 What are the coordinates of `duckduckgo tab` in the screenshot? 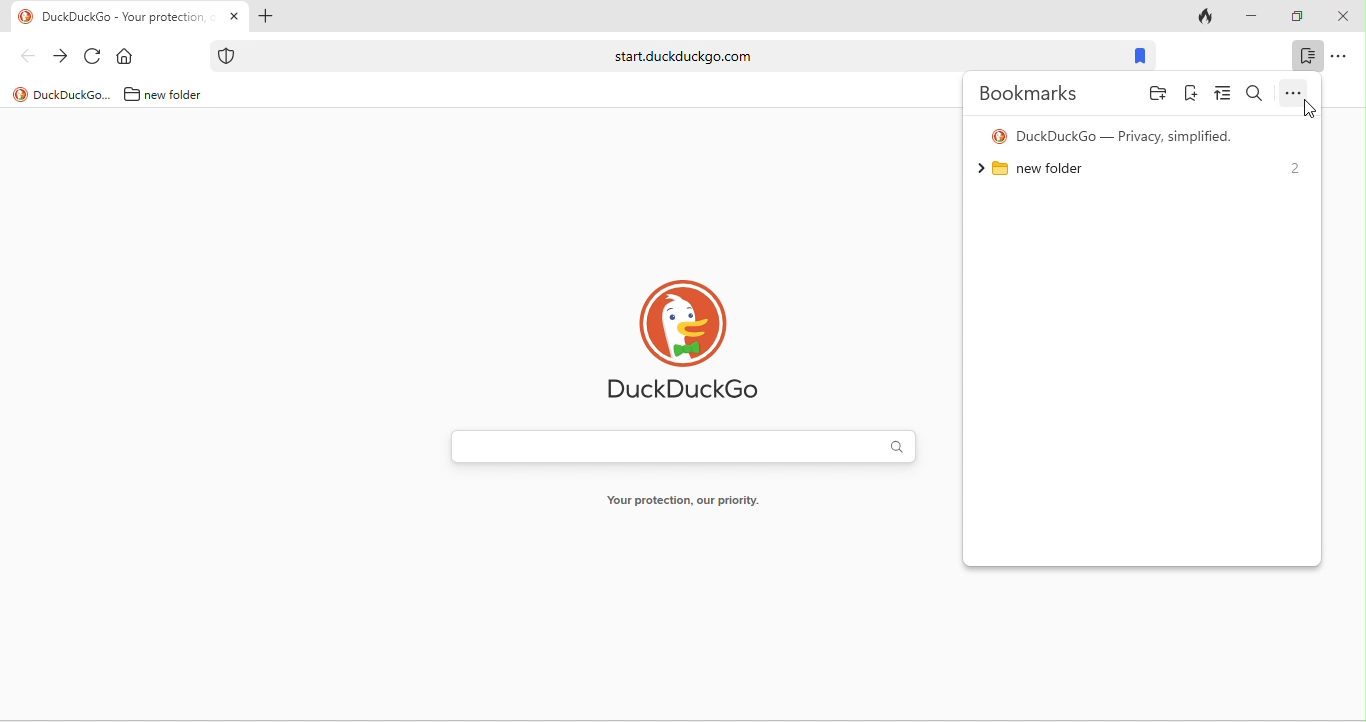 It's located at (113, 18).